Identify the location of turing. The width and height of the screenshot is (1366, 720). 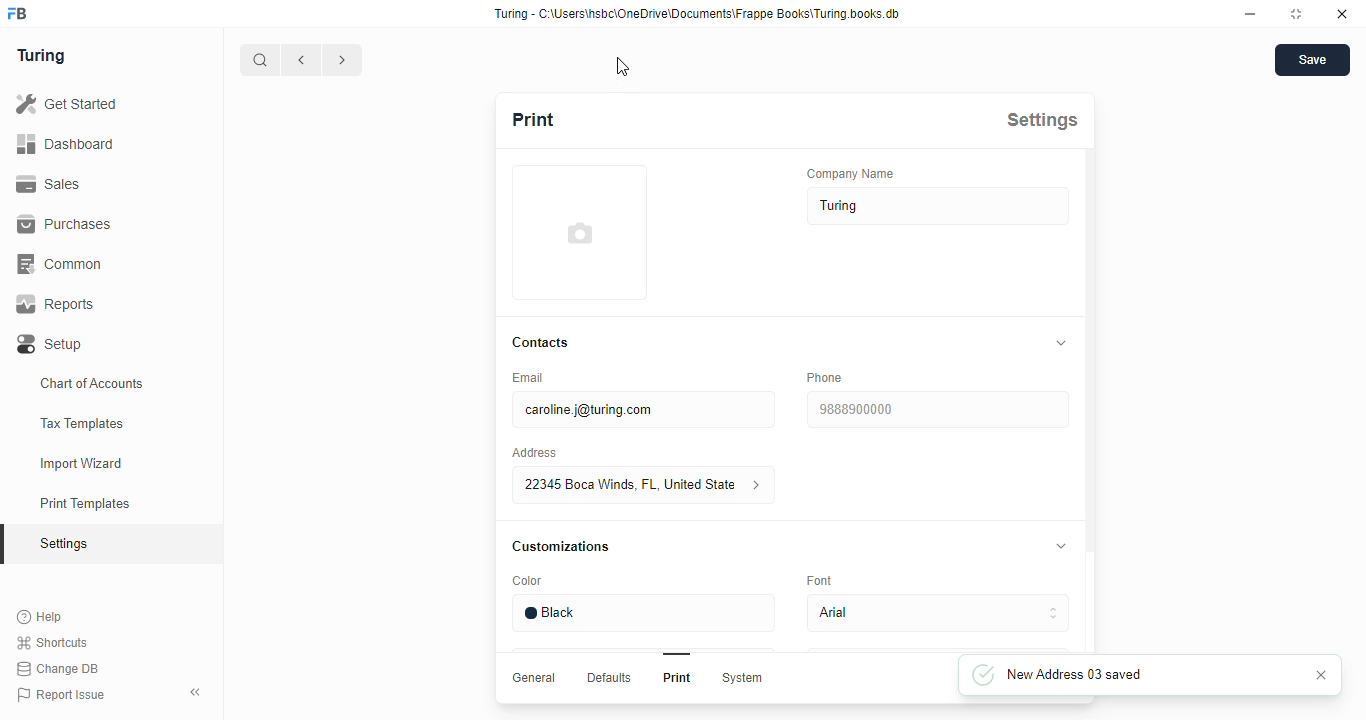
(939, 206).